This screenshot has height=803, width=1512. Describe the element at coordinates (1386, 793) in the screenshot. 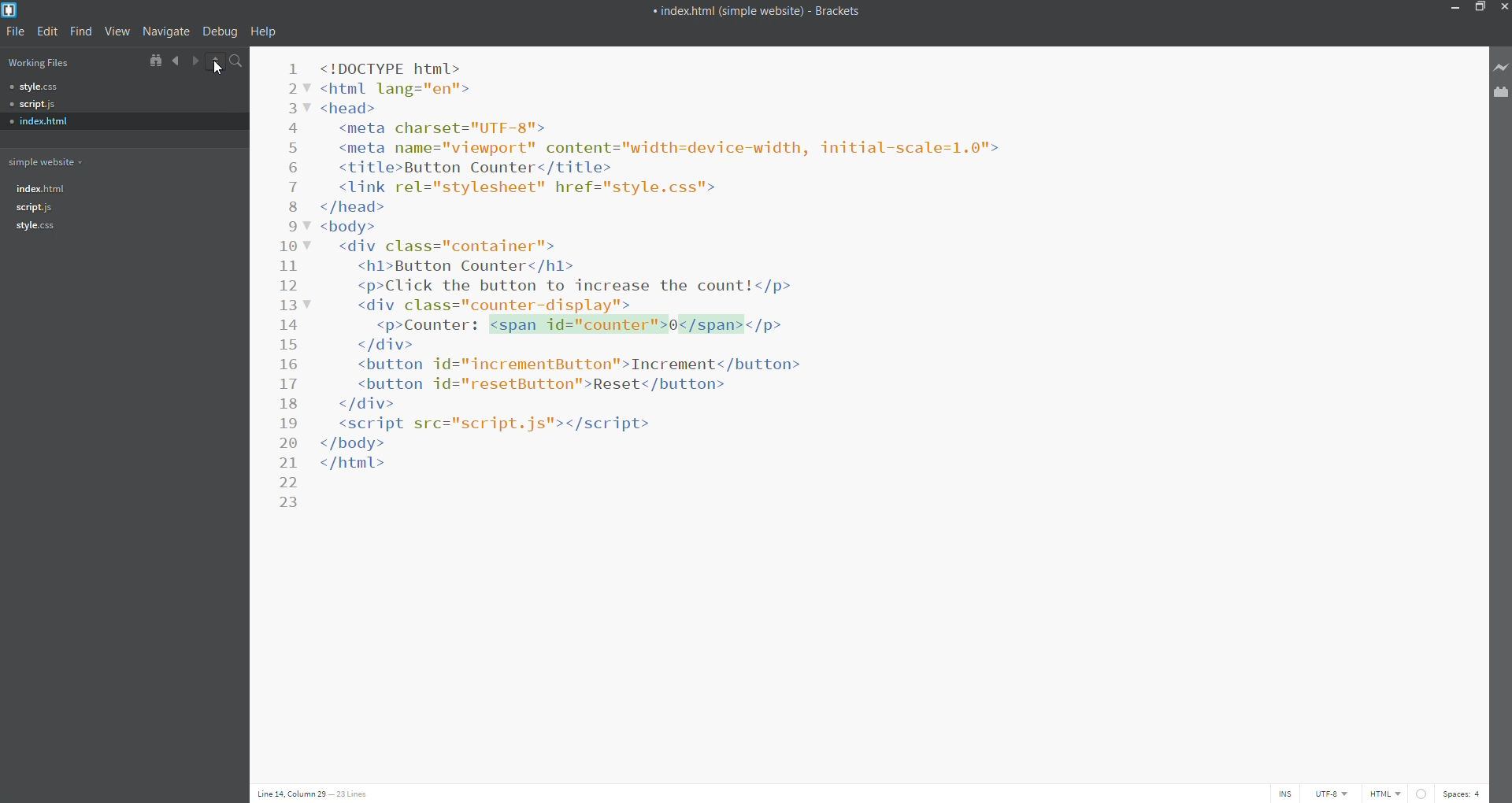

I see `file type: html` at that location.